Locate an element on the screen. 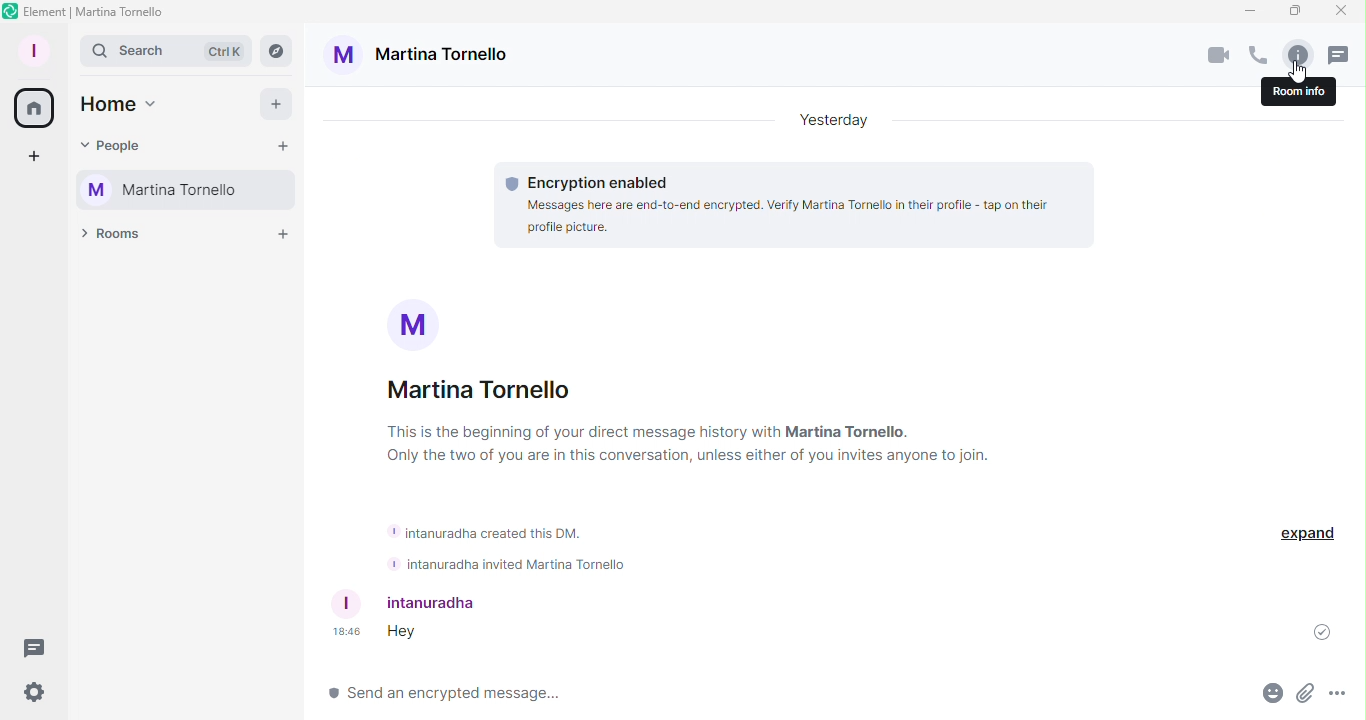 The width and height of the screenshot is (1366, 720). intanuranda created this Dm is located at coordinates (492, 528).